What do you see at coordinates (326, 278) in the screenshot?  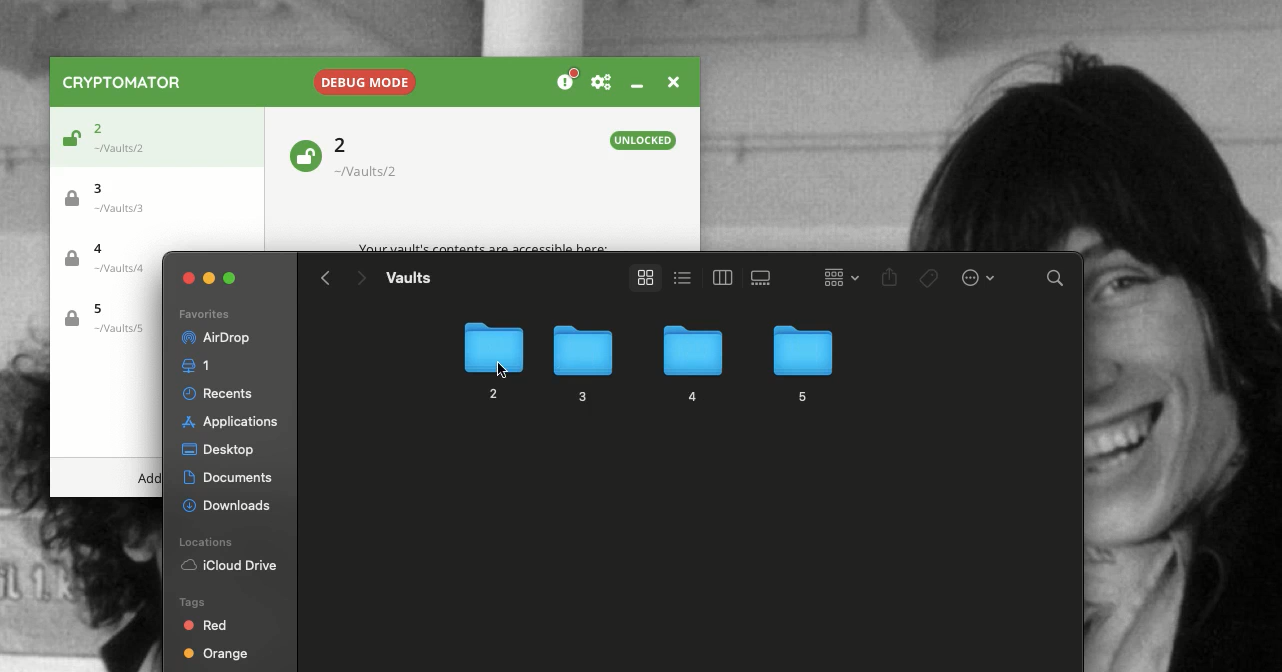 I see `Back` at bounding box center [326, 278].